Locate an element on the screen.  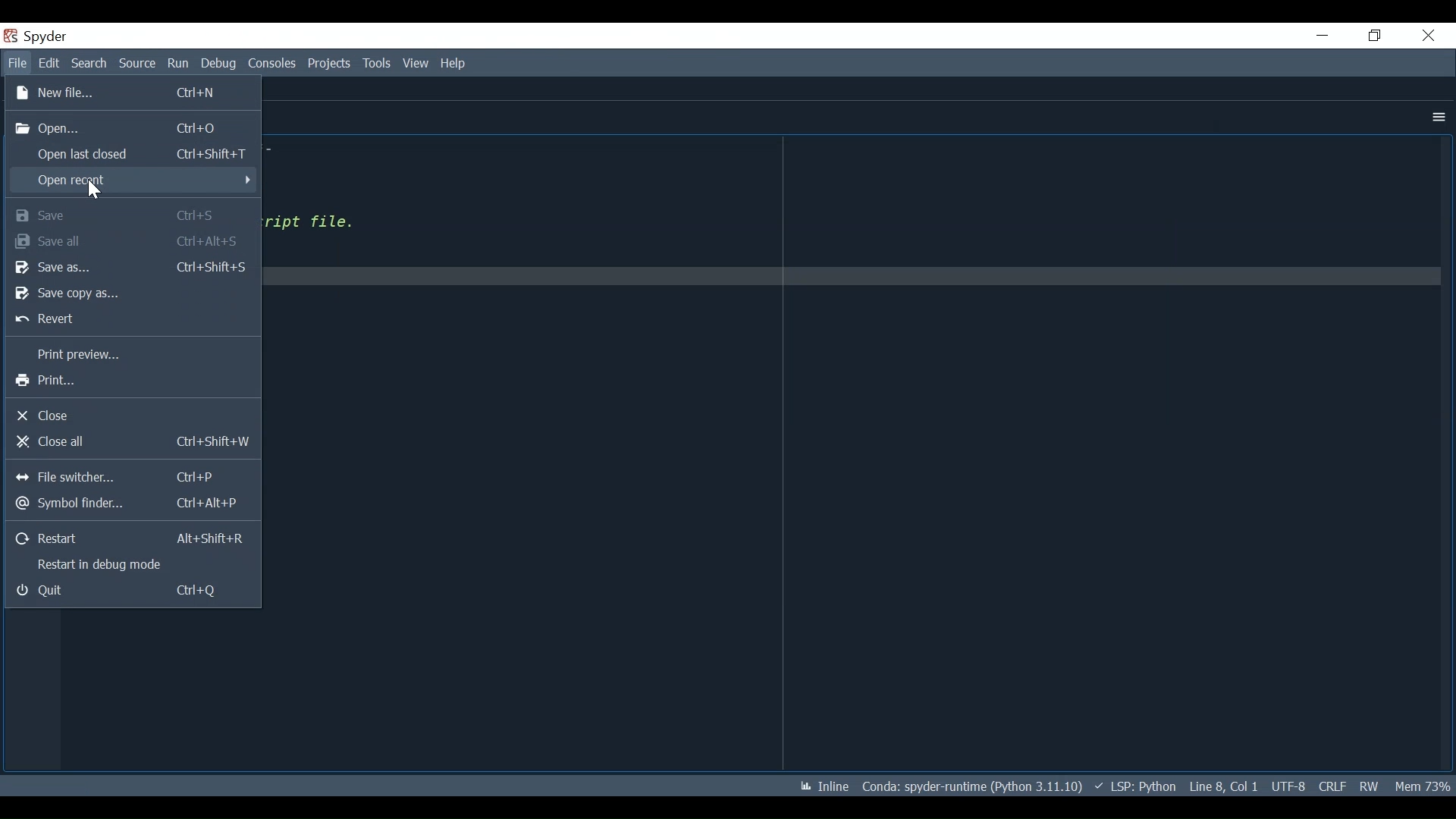
Spyder Desktop Icon is located at coordinates (11, 36).